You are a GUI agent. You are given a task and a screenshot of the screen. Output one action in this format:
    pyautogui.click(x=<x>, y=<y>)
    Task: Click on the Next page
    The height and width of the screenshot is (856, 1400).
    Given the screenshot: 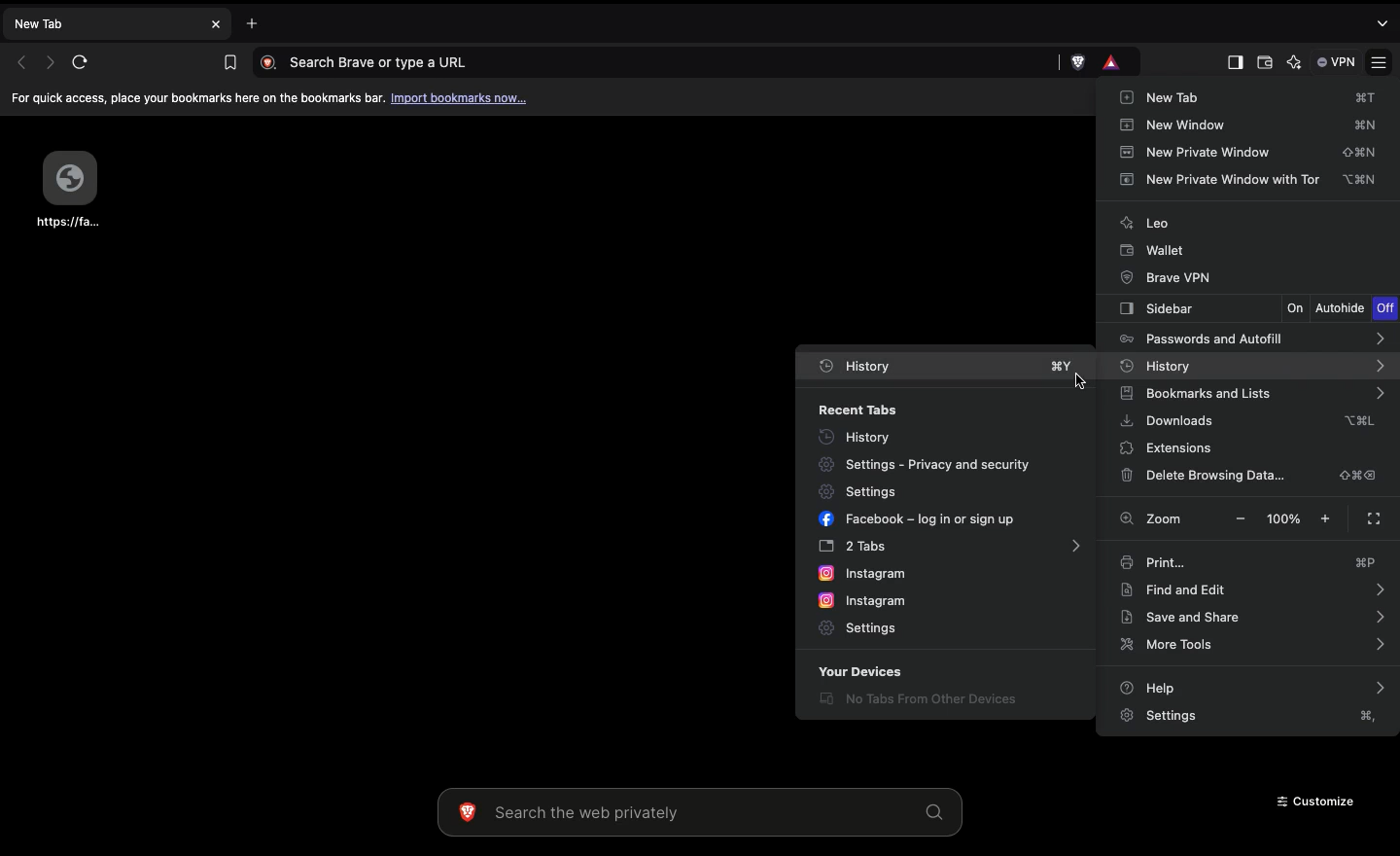 What is the action you would take?
    pyautogui.click(x=47, y=62)
    